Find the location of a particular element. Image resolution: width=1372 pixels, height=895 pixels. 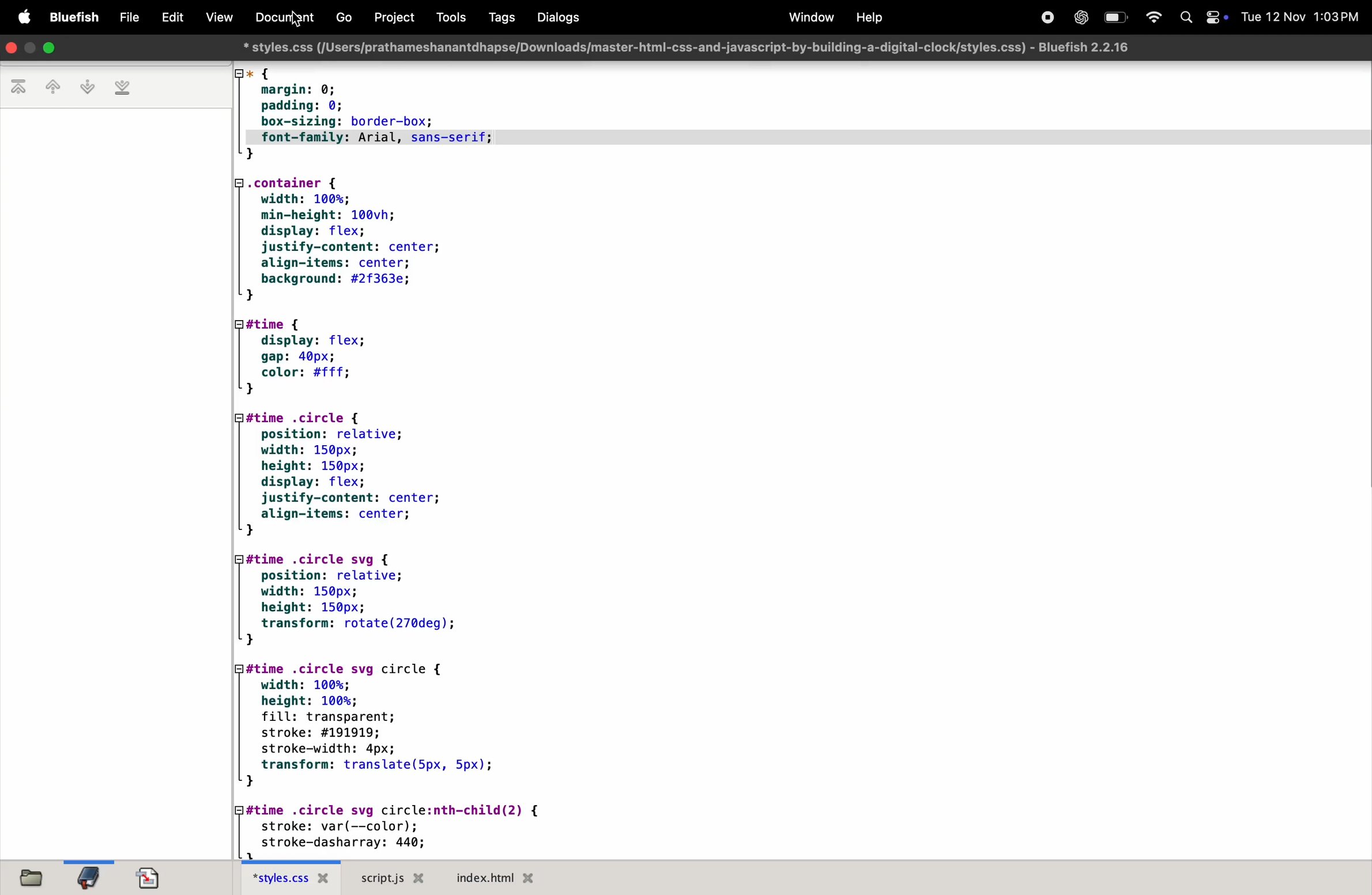

Last bookmark is located at coordinates (125, 88).